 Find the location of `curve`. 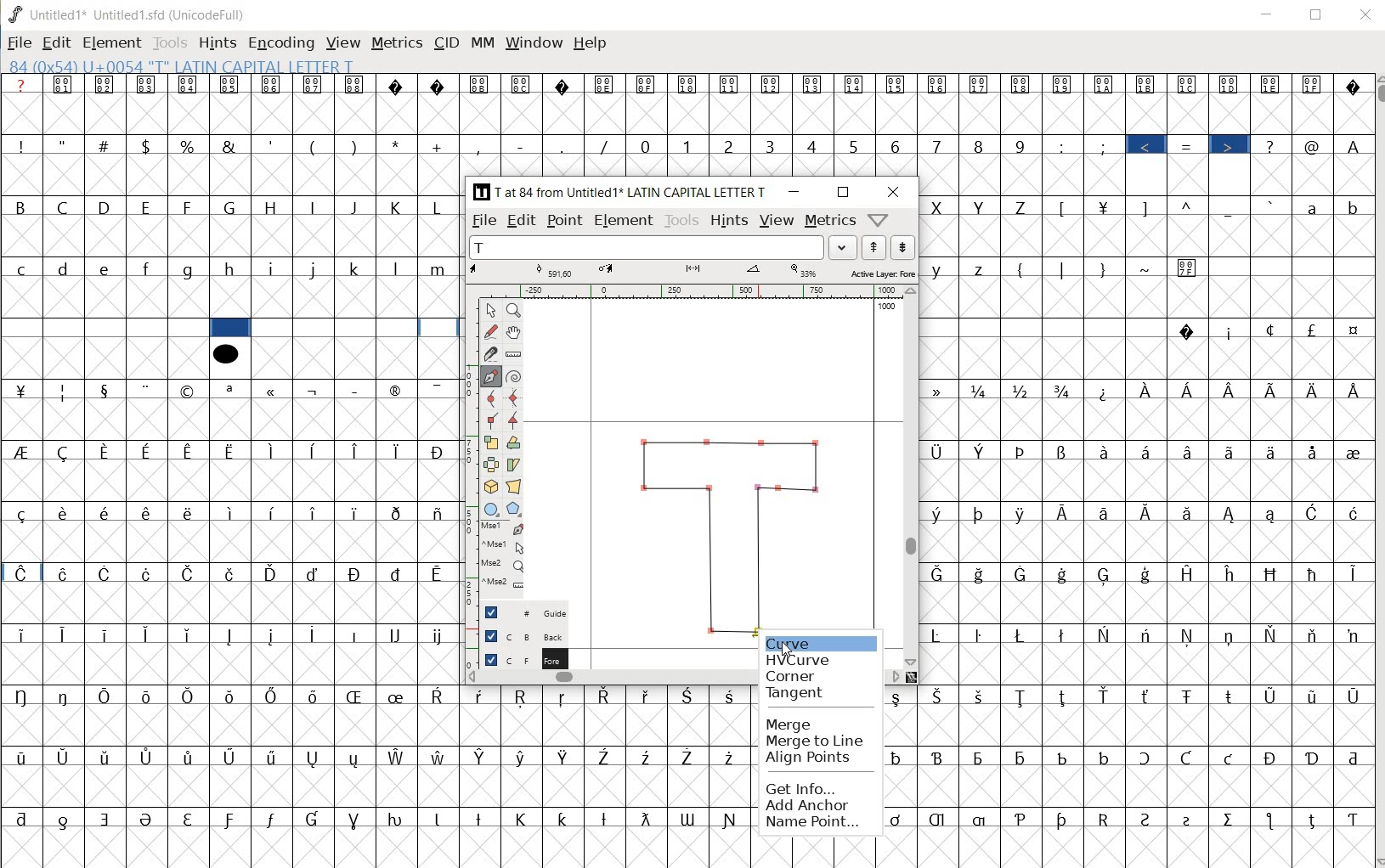

curve is located at coordinates (796, 640).